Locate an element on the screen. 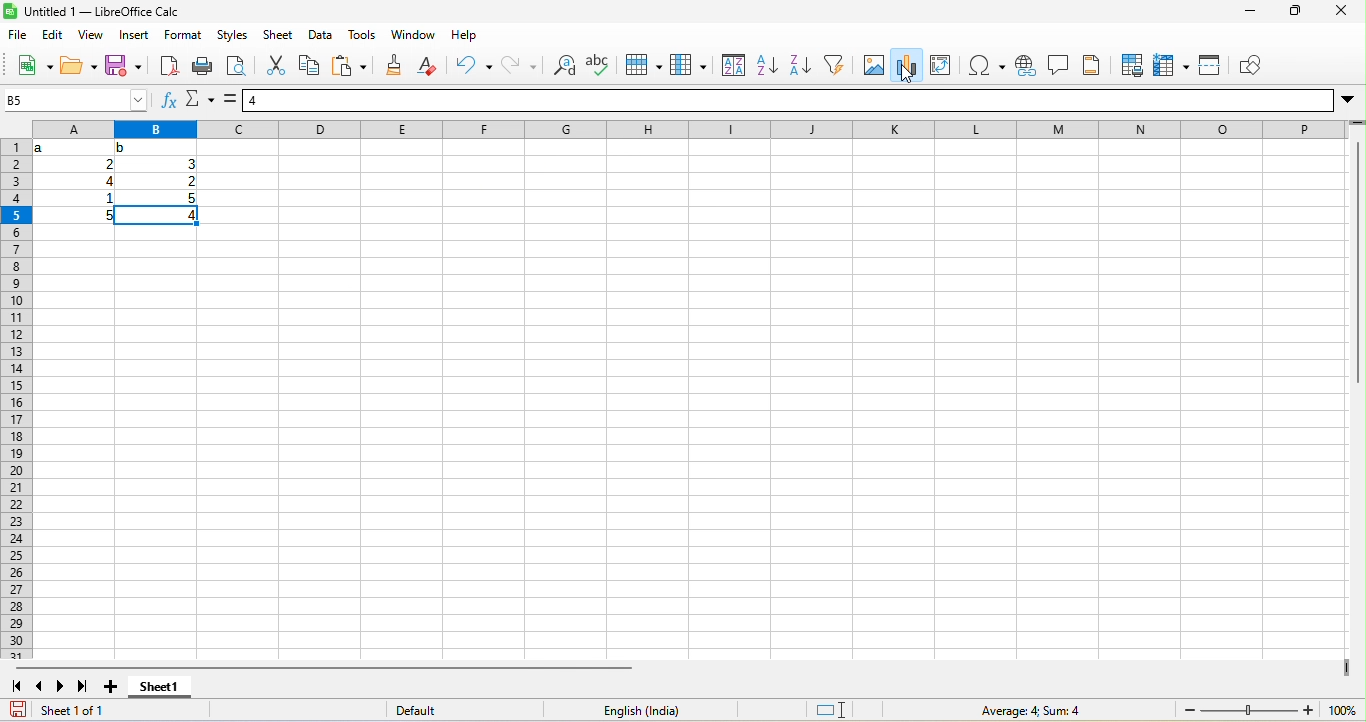  edit pivot table is located at coordinates (940, 66).